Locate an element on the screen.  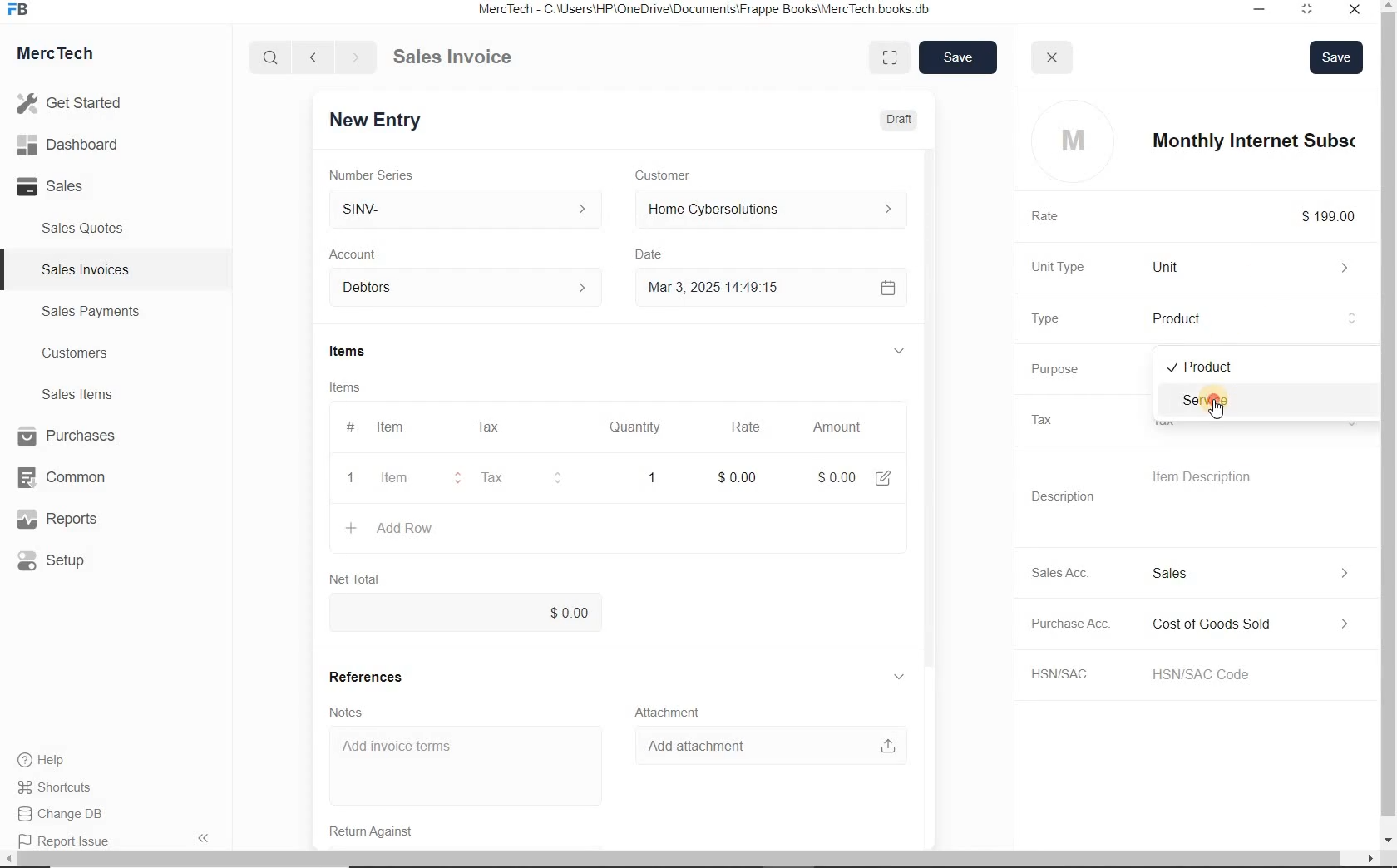
Sales is located at coordinates (75, 186).